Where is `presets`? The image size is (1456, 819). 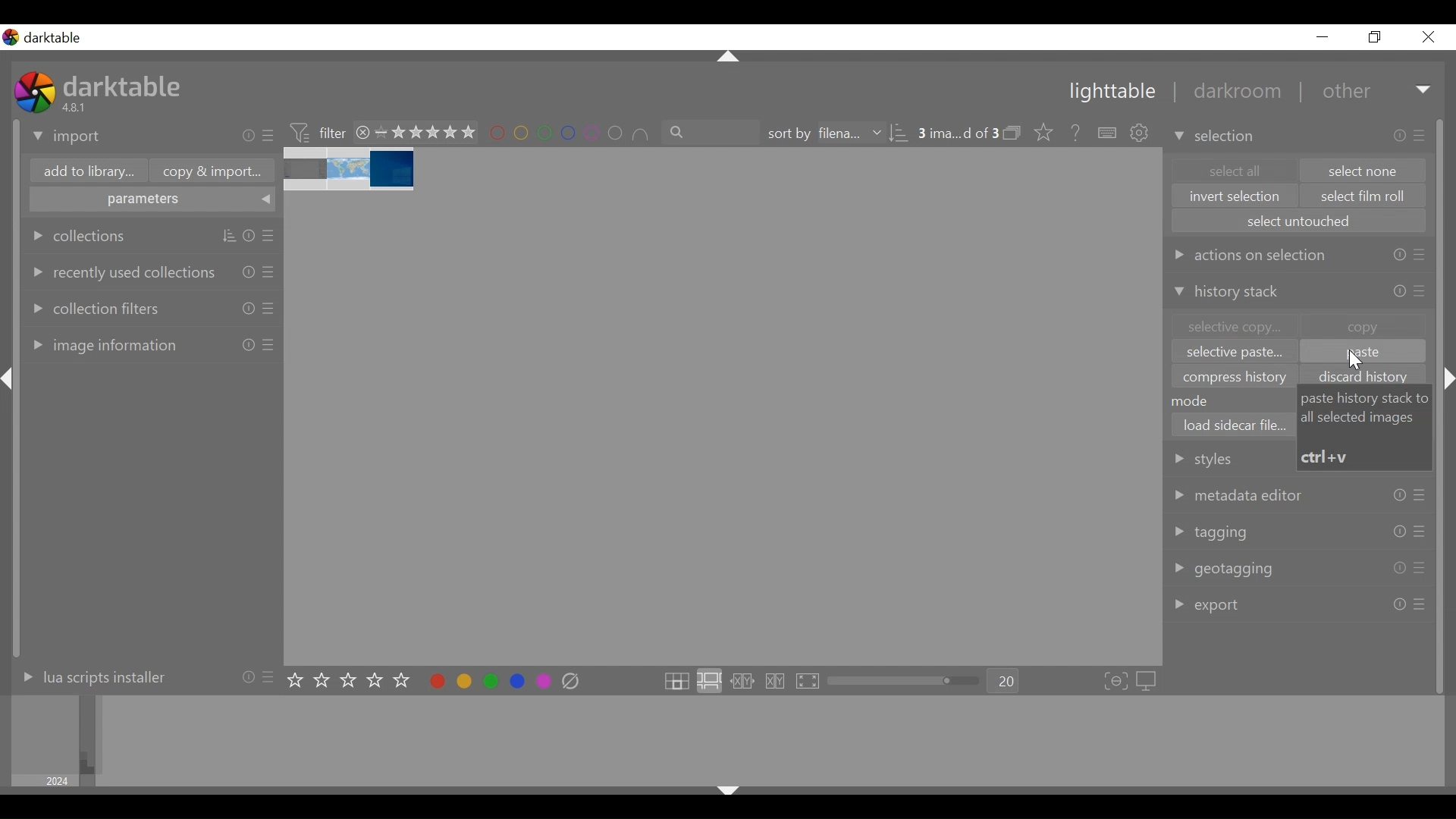
presets is located at coordinates (271, 676).